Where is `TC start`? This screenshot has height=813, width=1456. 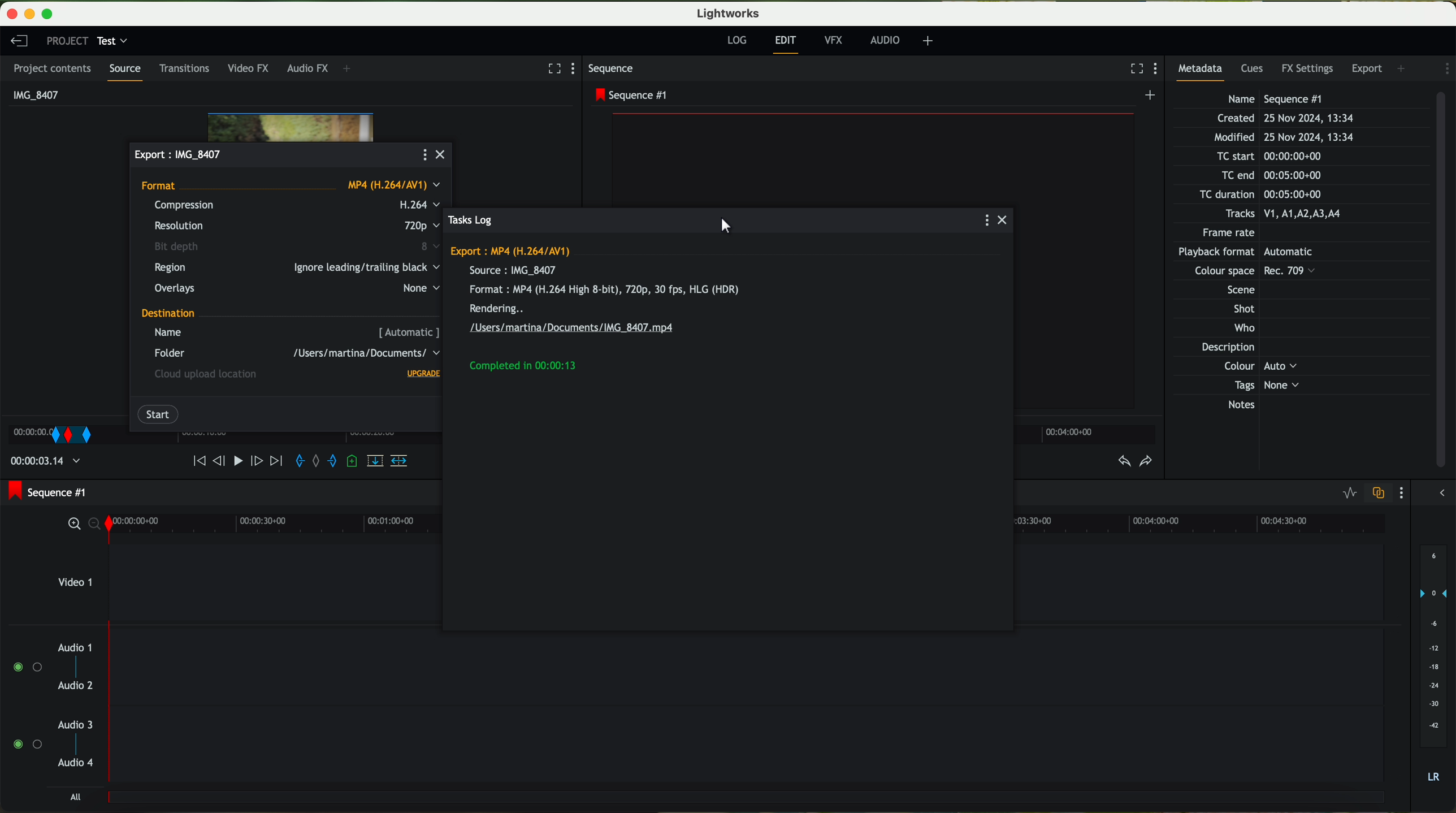
TC start is located at coordinates (1267, 157).